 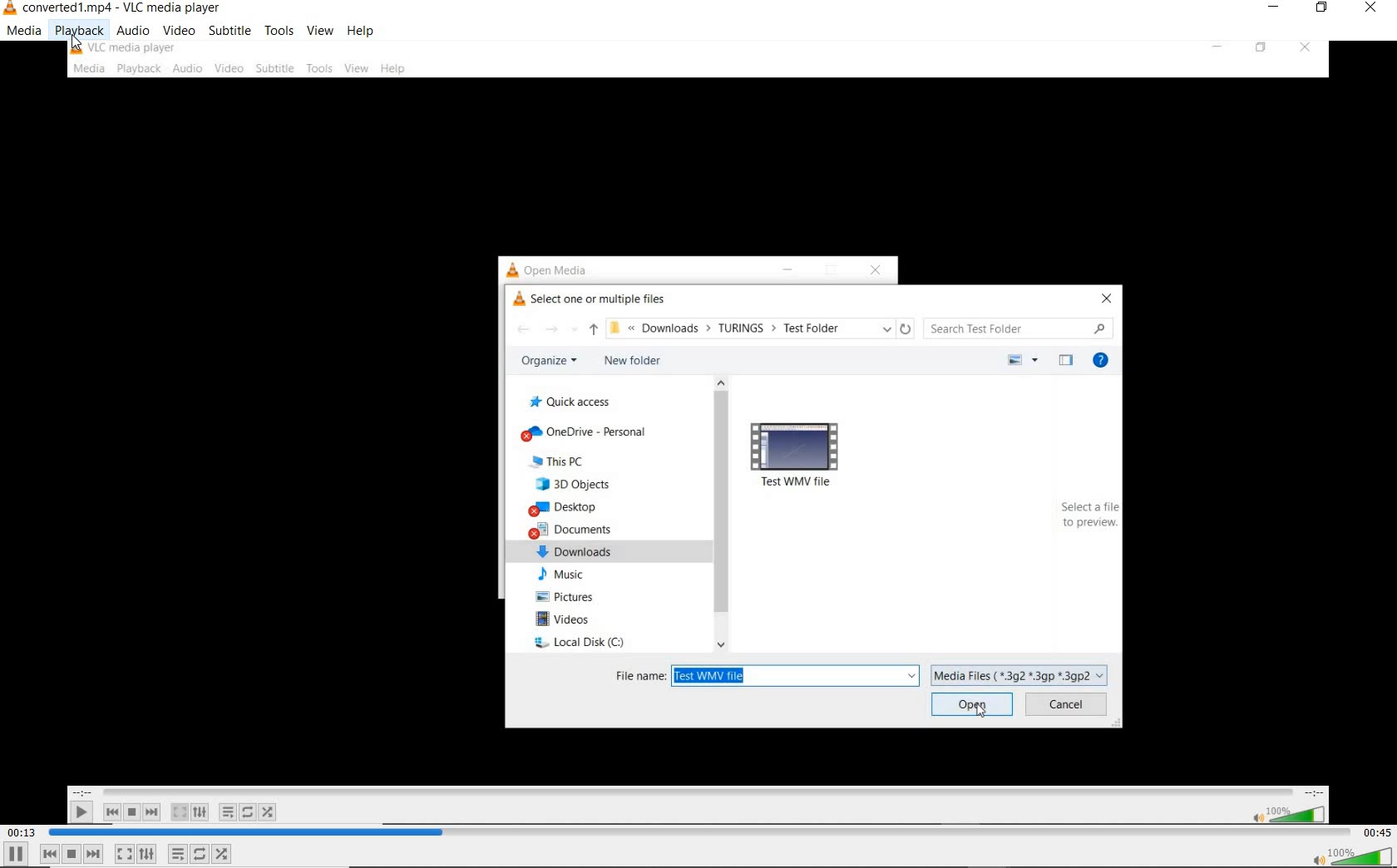 What do you see at coordinates (72, 853) in the screenshot?
I see `stop` at bounding box center [72, 853].